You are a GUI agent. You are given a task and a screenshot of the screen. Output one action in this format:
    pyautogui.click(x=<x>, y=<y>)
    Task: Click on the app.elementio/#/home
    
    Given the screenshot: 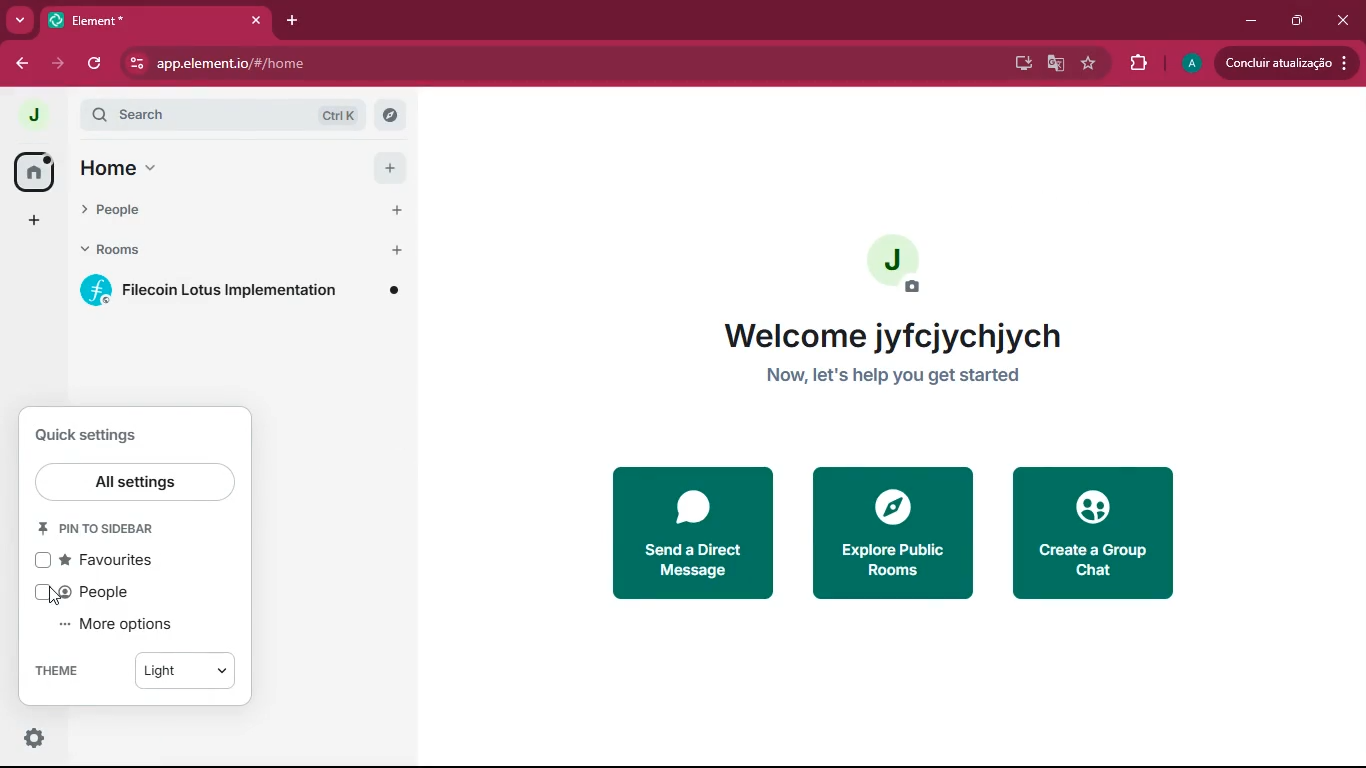 What is the action you would take?
    pyautogui.click(x=333, y=64)
    